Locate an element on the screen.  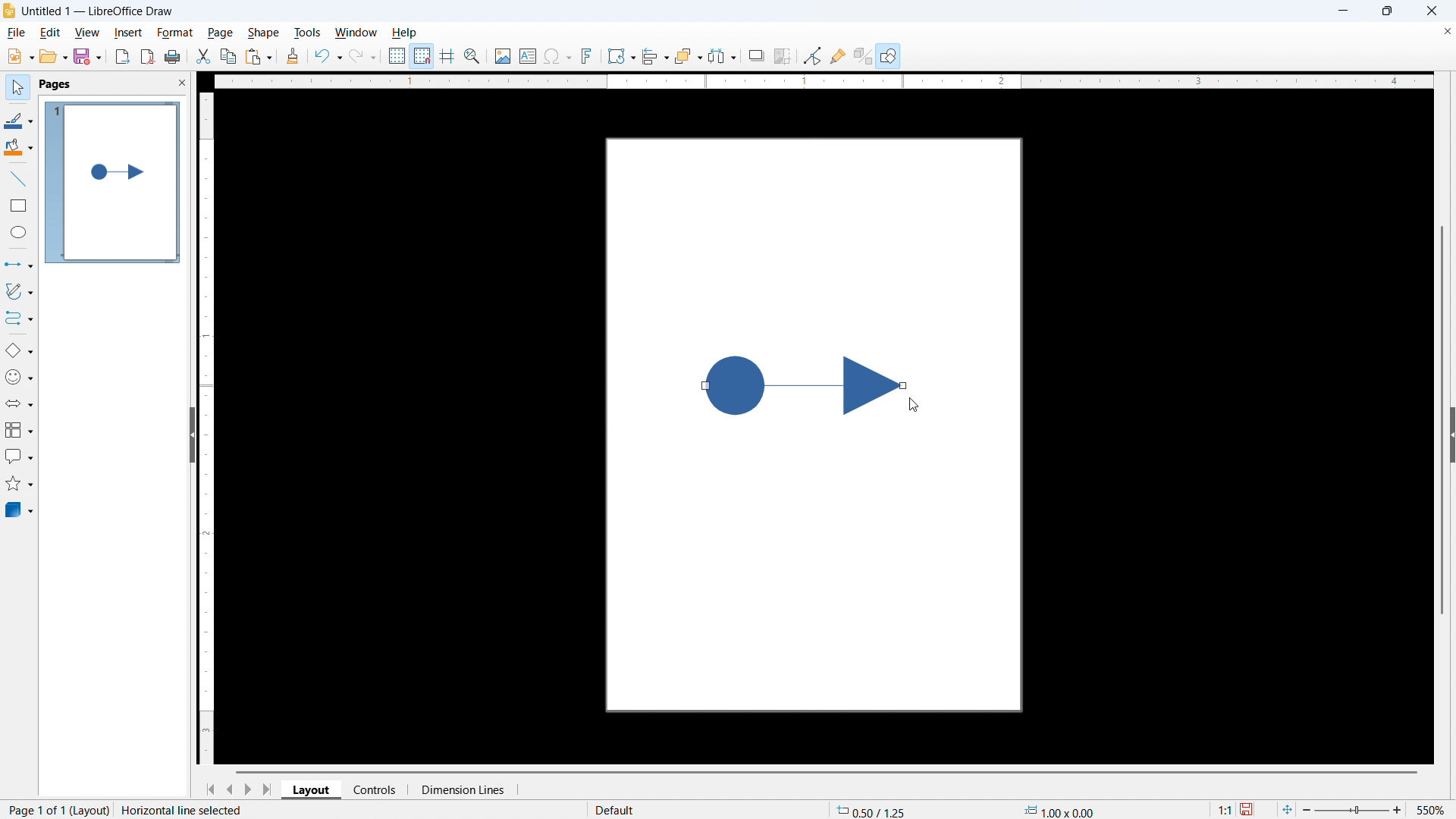
Page display  is located at coordinates (114, 183).